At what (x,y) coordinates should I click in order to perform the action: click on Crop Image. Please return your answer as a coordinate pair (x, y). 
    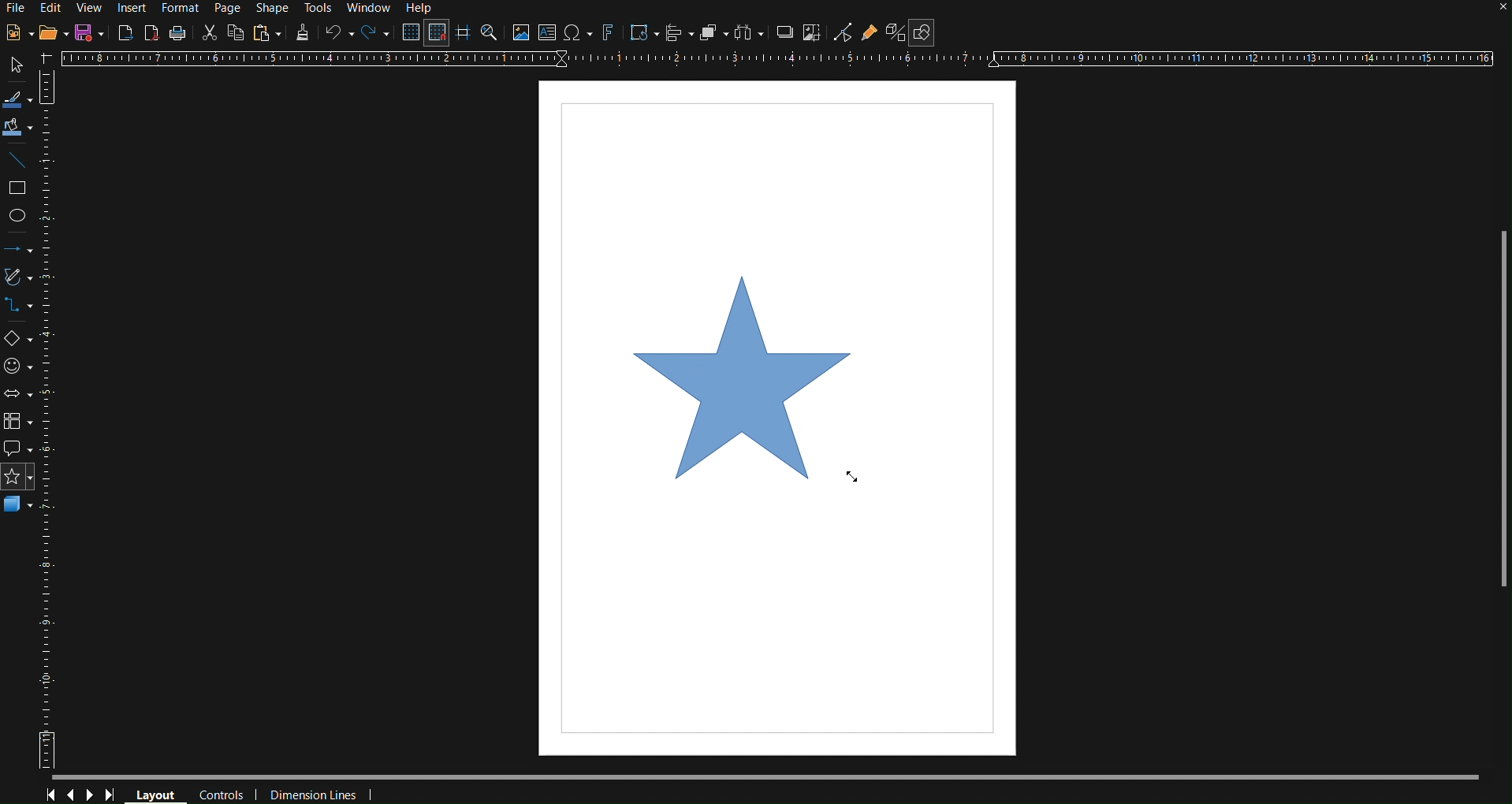
    Looking at the image, I should click on (813, 35).